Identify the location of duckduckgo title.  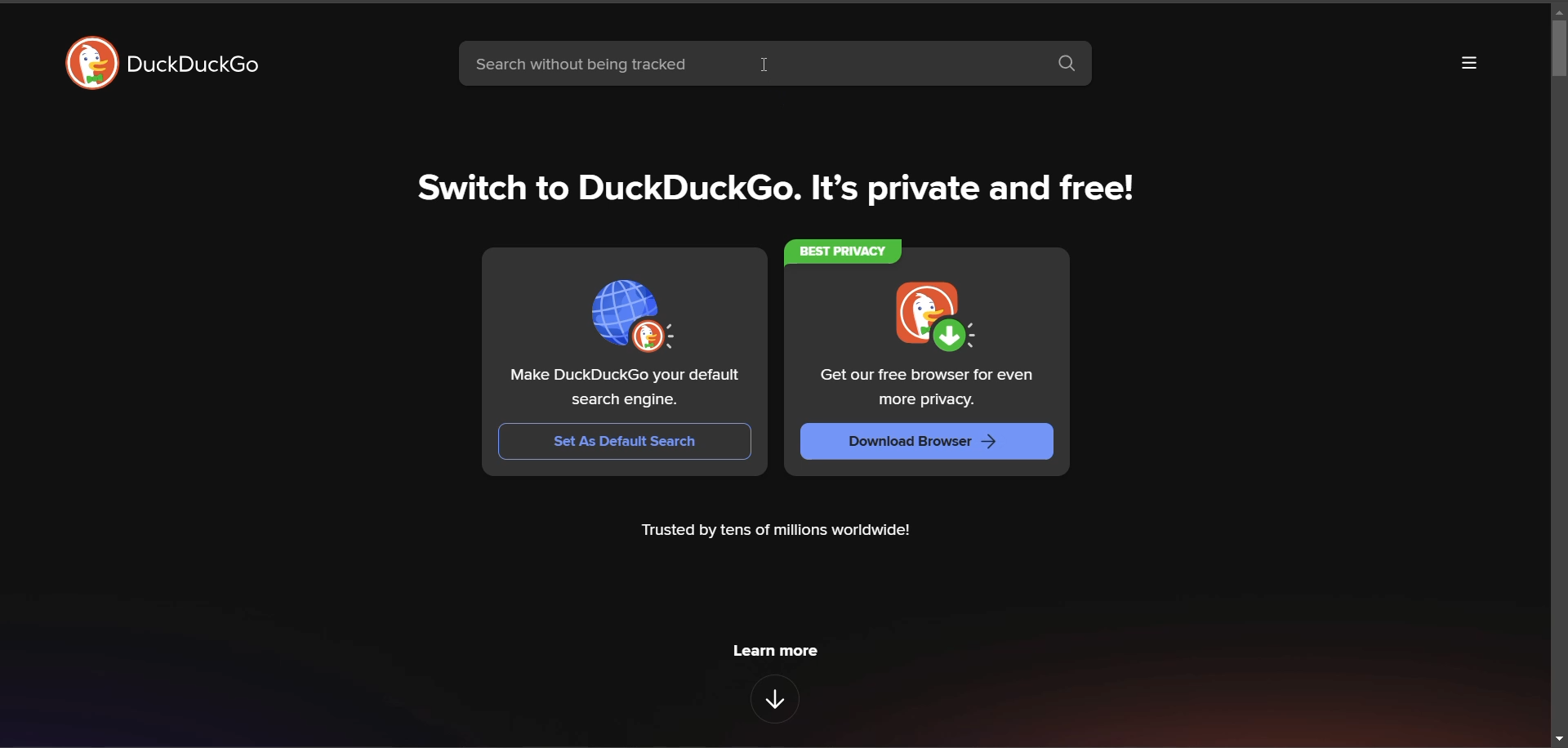
(203, 65).